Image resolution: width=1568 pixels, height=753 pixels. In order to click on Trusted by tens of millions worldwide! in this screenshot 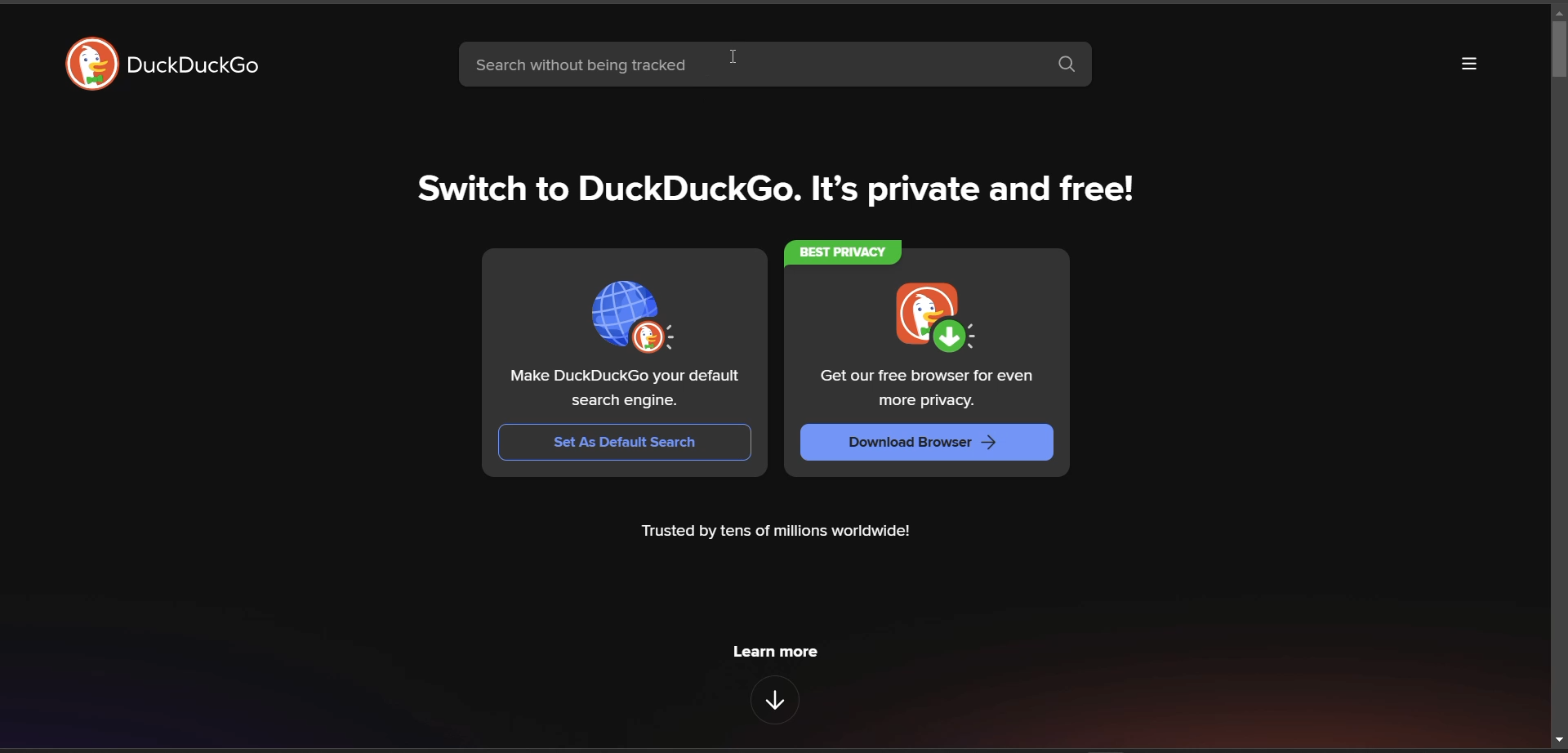, I will do `click(777, 532)`.